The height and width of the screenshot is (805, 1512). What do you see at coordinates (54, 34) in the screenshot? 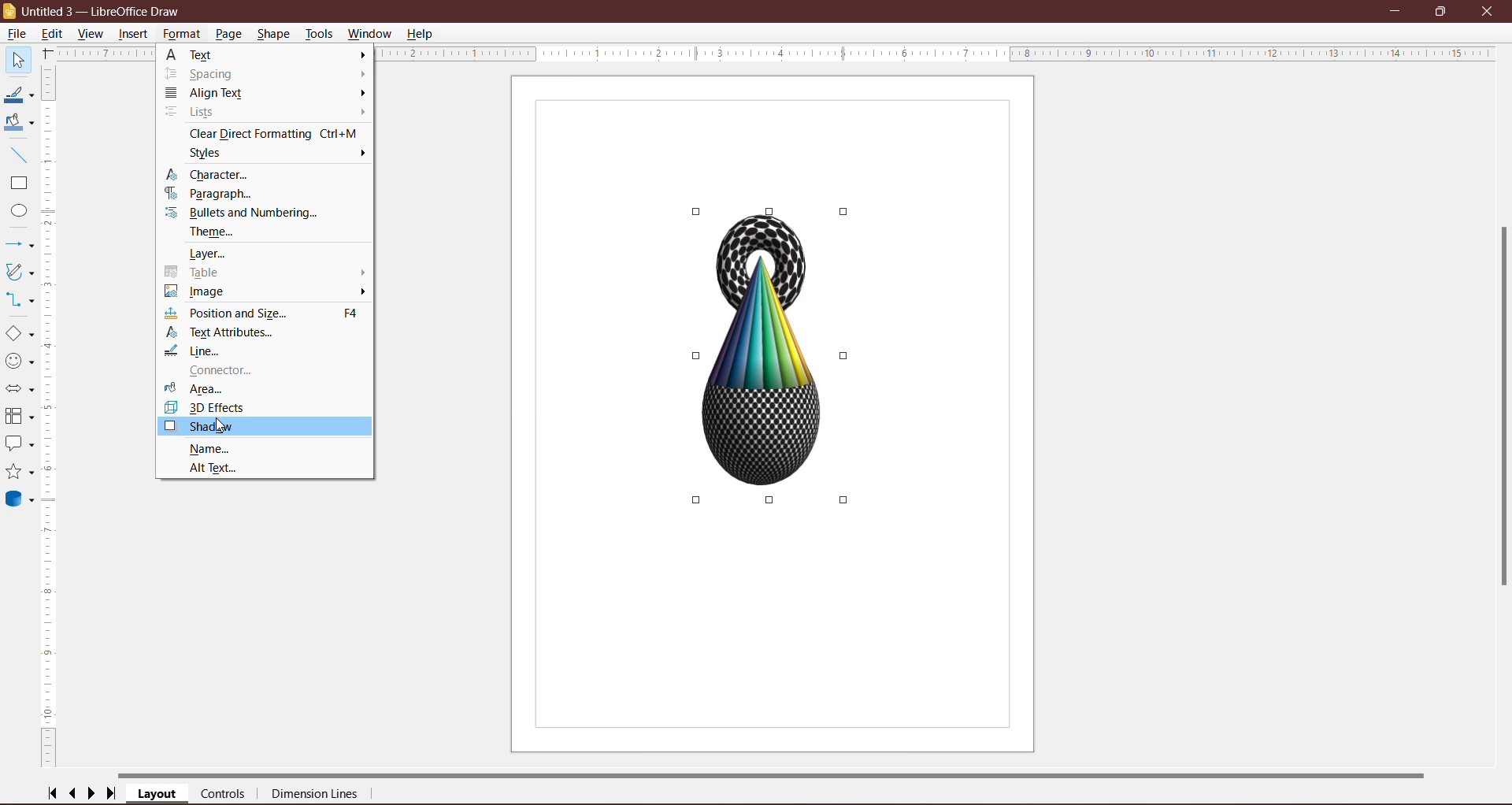
I see `Edit` at bounding box center [54, 34].